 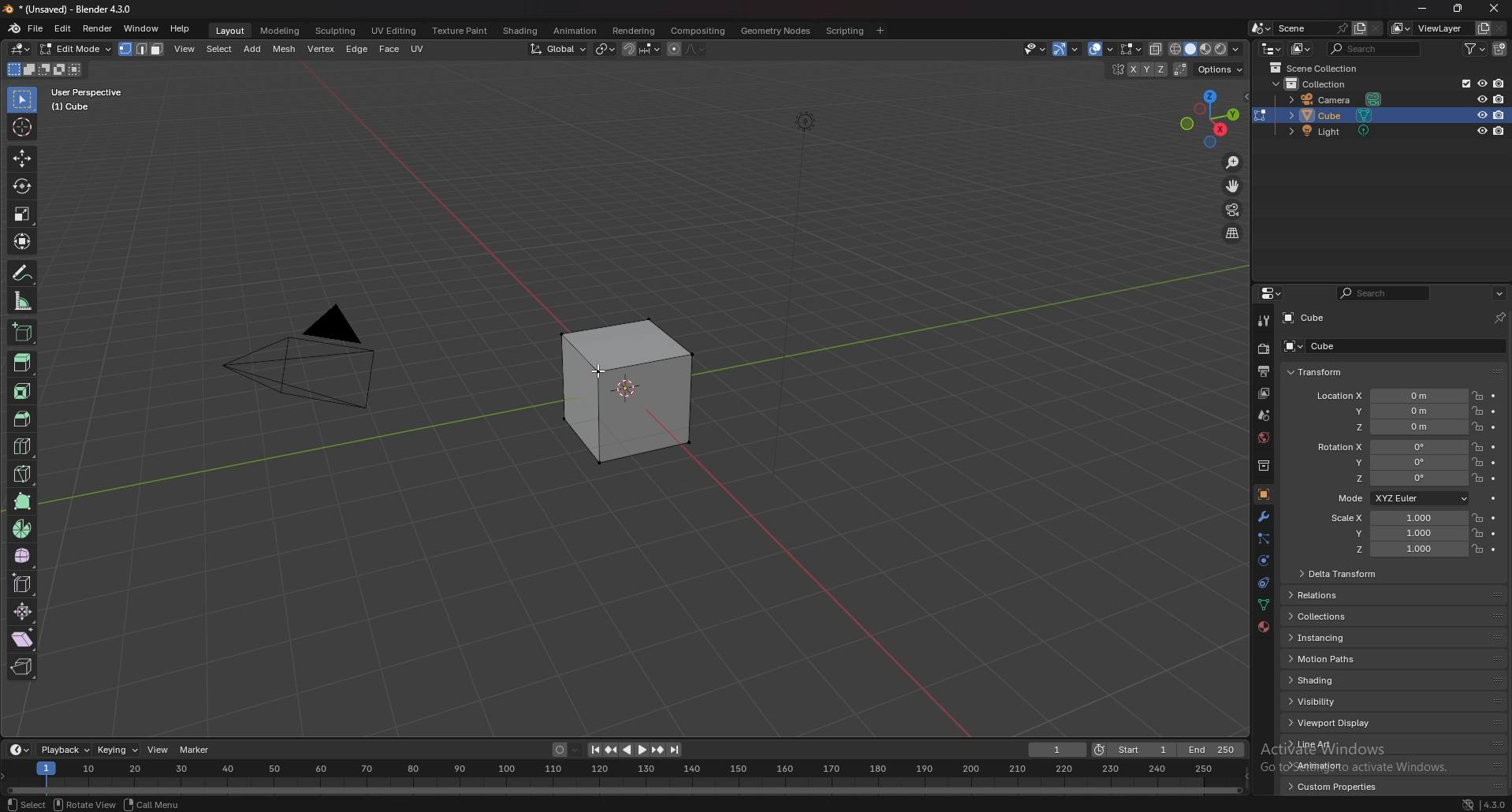 I want to click on bevel, so click(x=23, y=419).